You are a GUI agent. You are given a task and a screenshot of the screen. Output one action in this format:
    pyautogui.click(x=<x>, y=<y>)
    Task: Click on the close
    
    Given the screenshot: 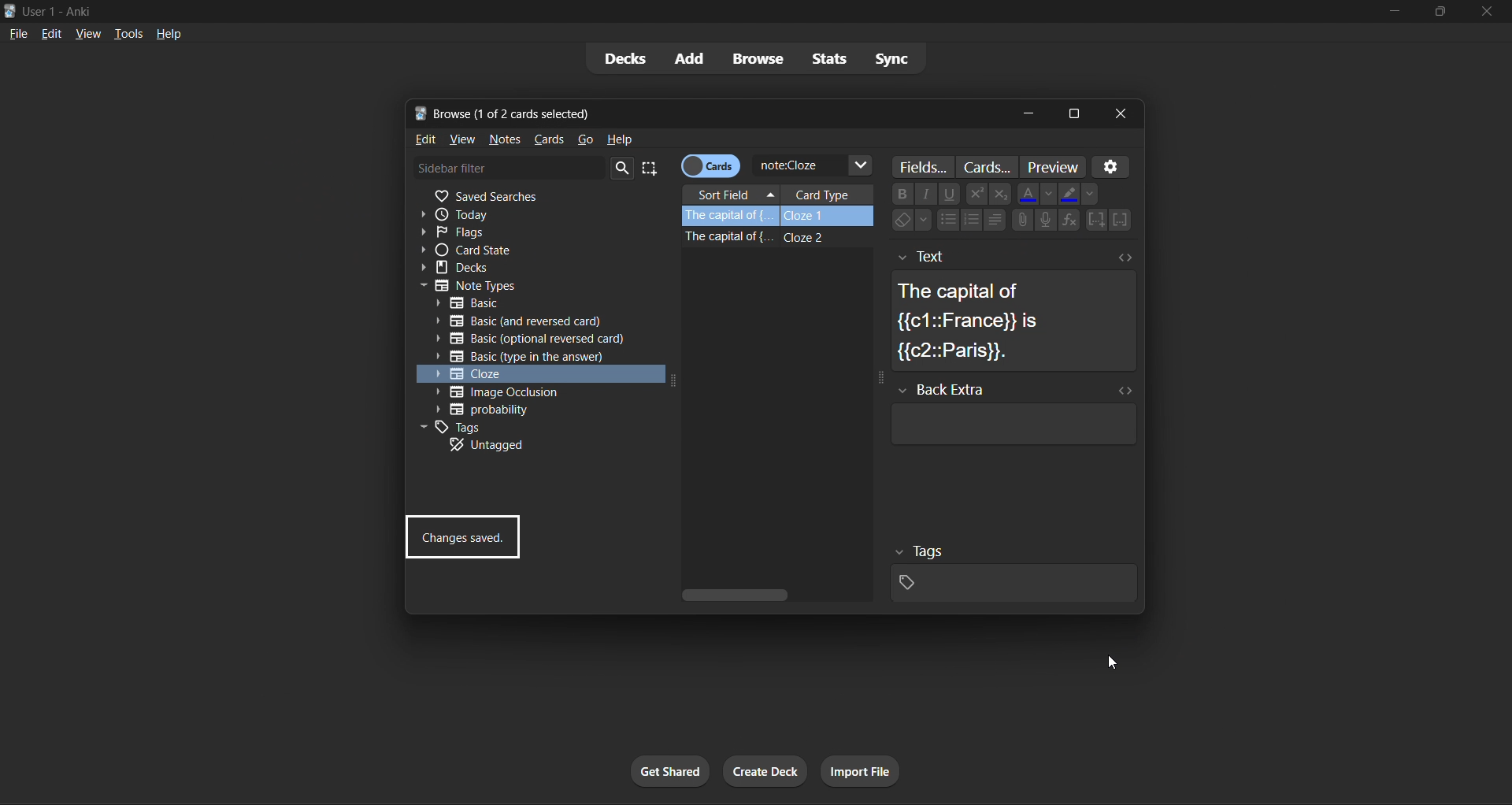 What is the action you would take?
    pyautogui.click(x=1485, y=10)
    